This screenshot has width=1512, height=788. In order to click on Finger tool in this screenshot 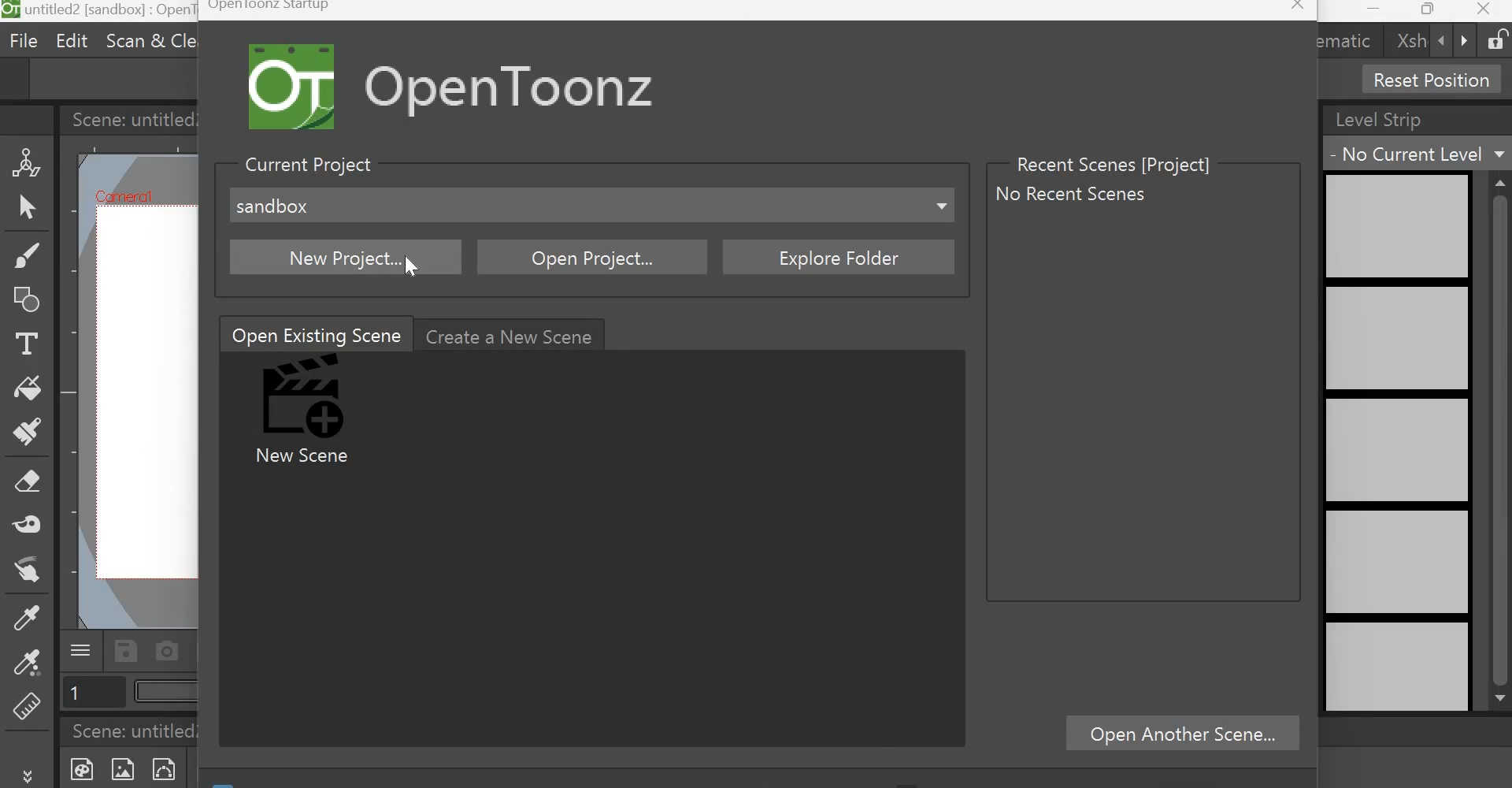, I will do `click(33, 575)`.